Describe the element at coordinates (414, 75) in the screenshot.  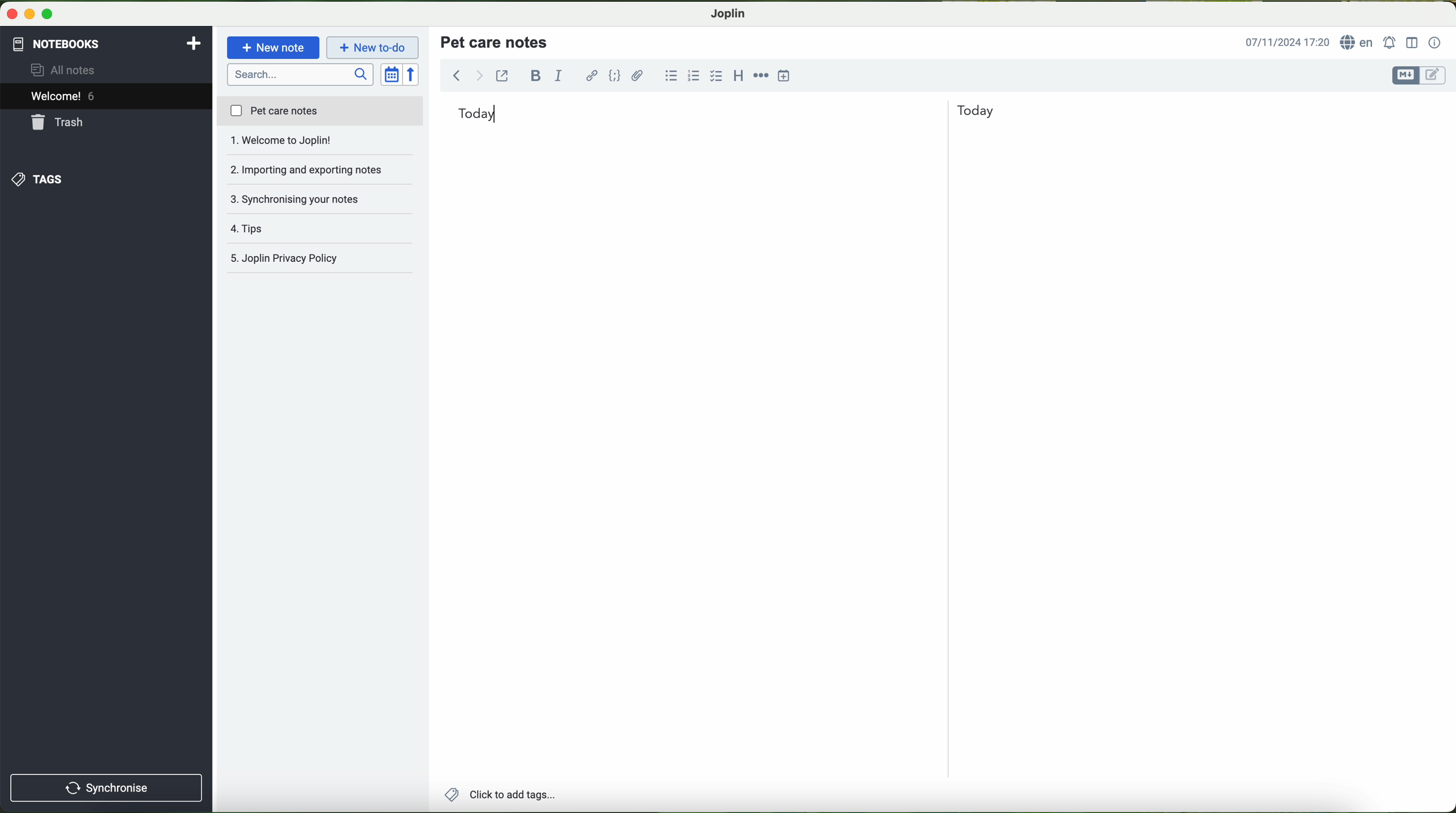
I see `reverse sort order` at that location.